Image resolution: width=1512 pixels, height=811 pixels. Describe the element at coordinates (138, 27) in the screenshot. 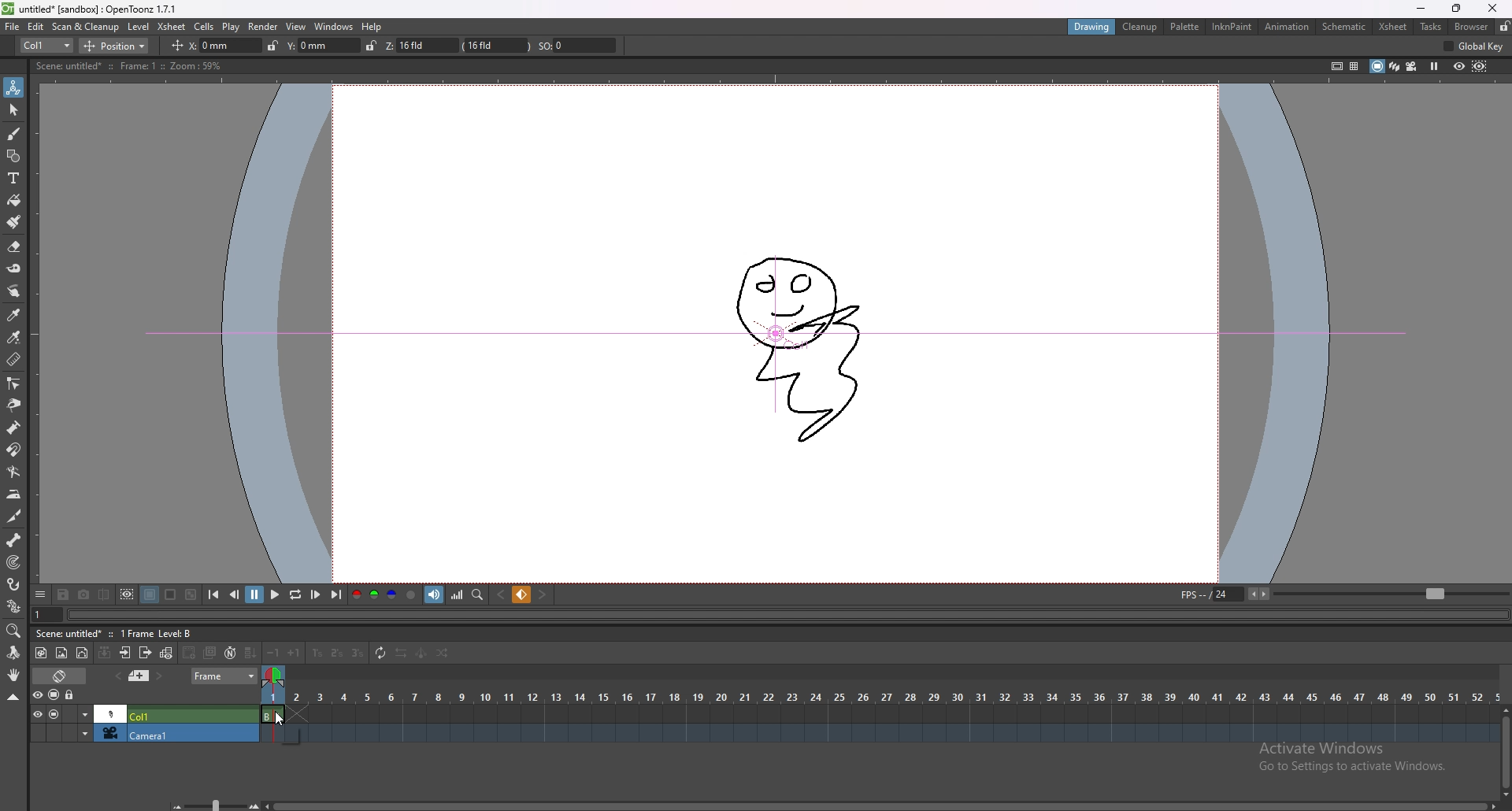

I see `level` at that location.